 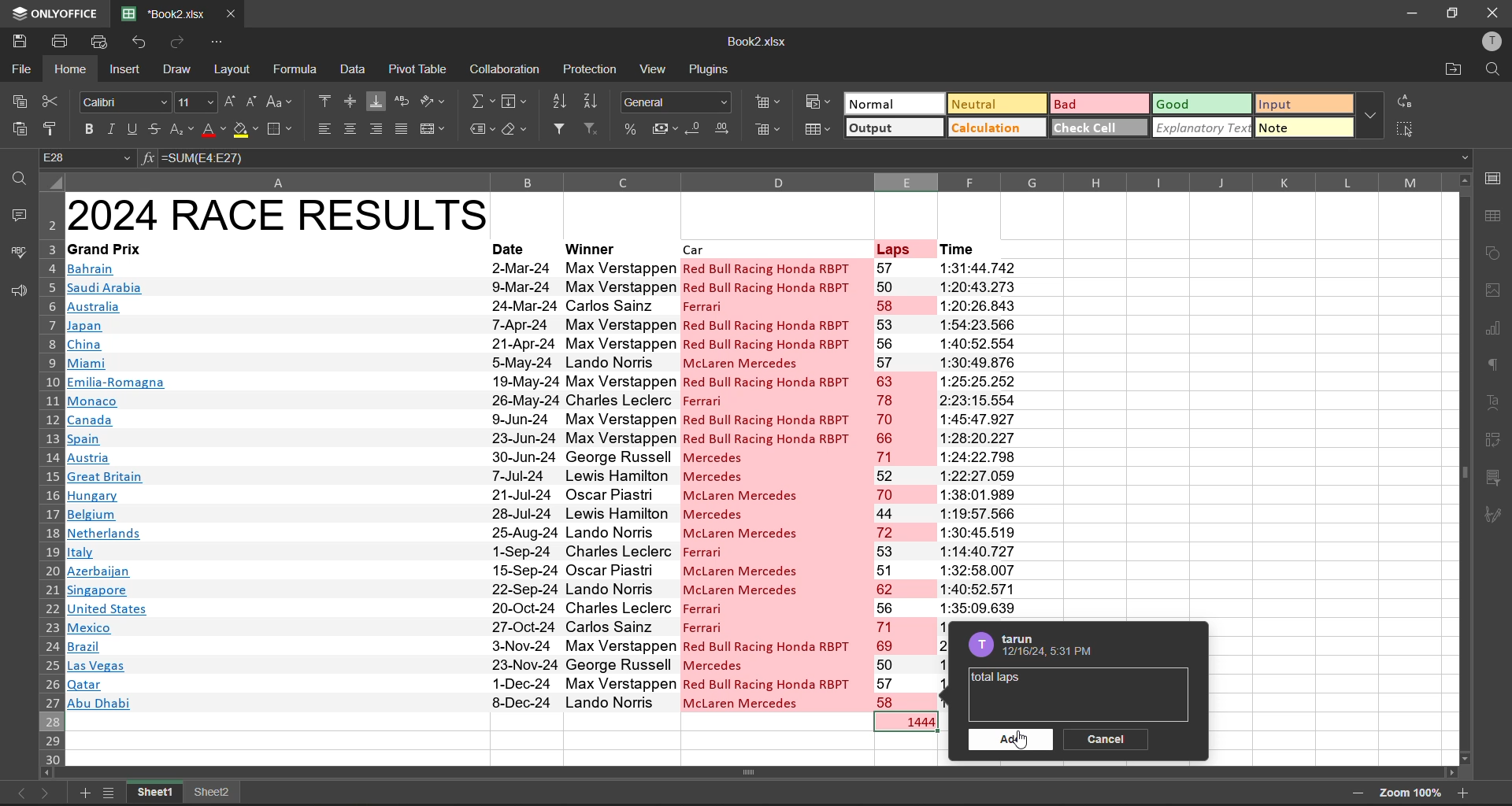 What do you see at coordinates (1411, 129) in the screenshot?
I see `select all` at bounding box center [1411, 129].